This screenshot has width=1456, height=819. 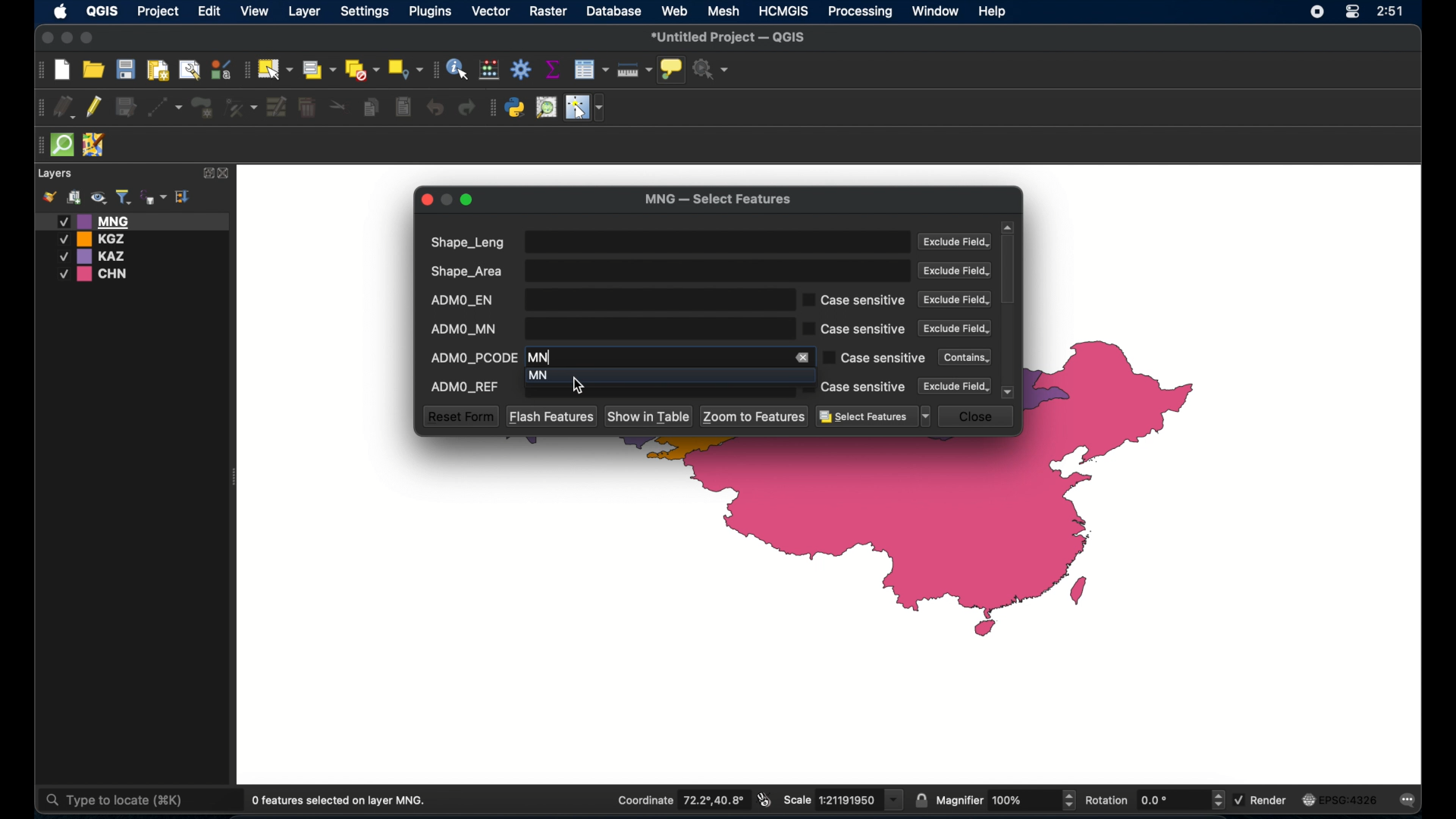 What do you see at coordinates (469, 201) in the screenshot?
I see `maximize` at bounding box center [469, 201].